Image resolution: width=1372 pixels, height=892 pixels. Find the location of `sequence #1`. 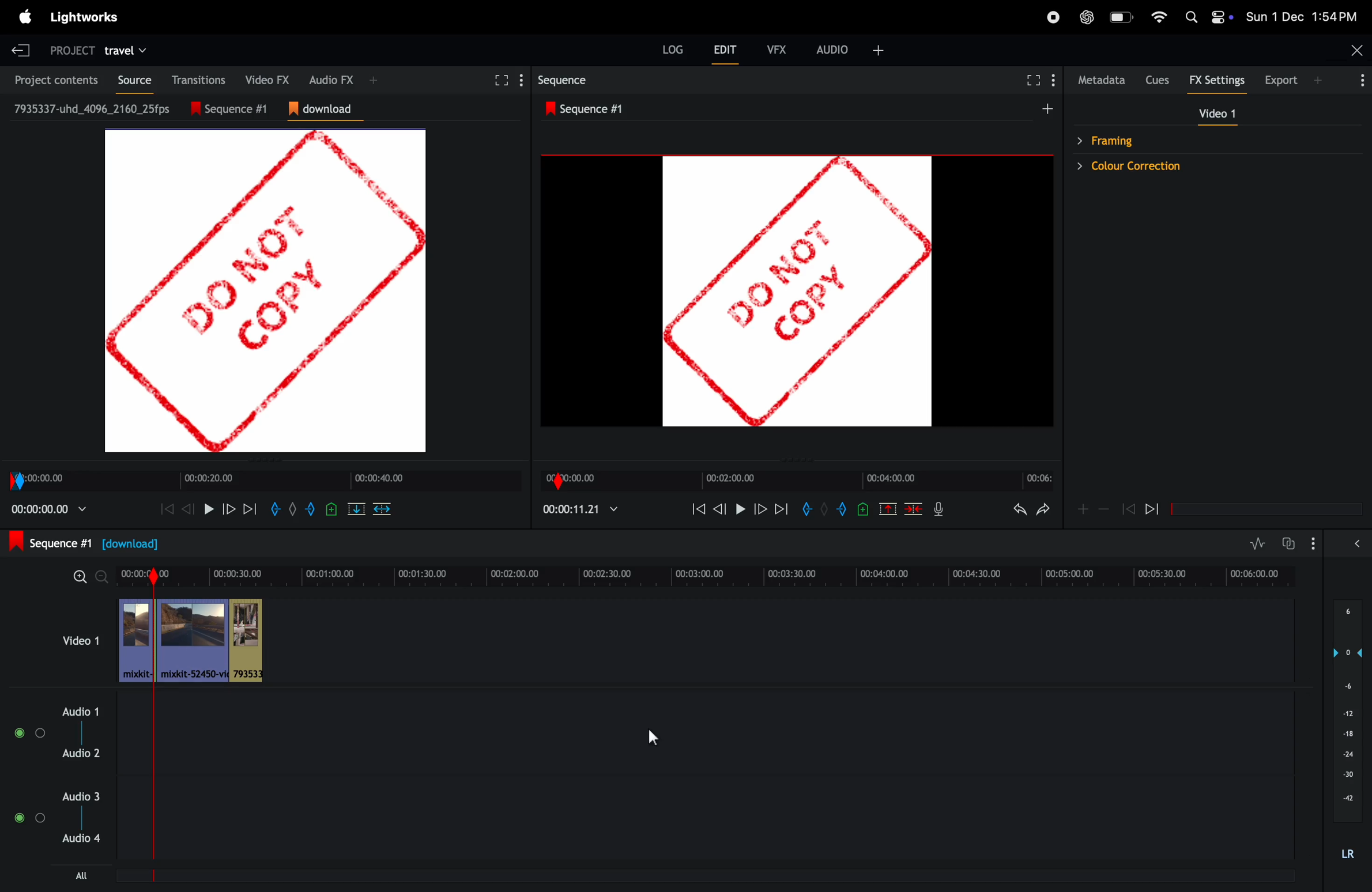

sequence #1 is located at coordinates (589, 109).